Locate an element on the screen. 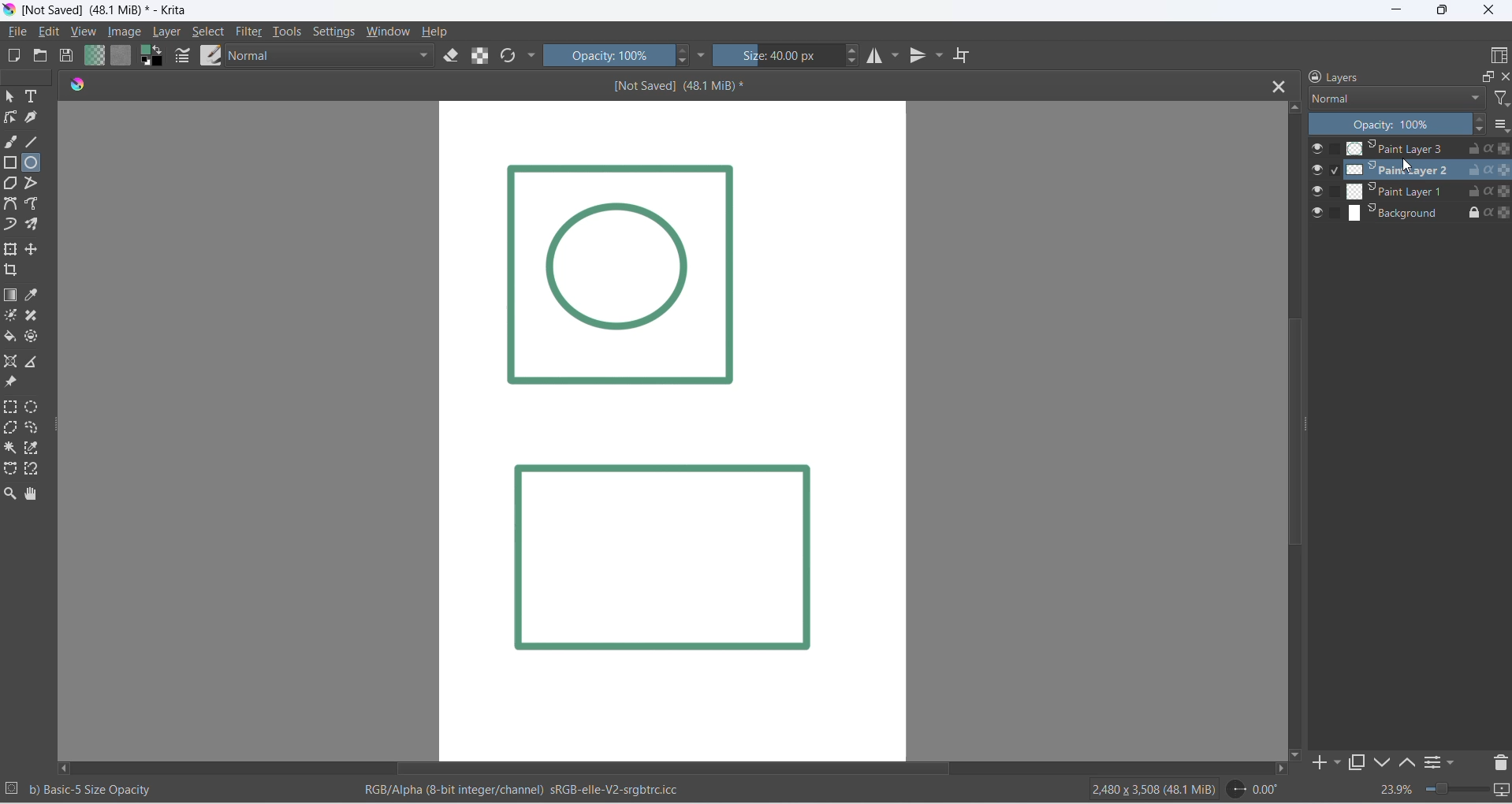 The height and width of the screenshot is (804, 1512). Preserver alpha is located at coordinates (1498, 169).